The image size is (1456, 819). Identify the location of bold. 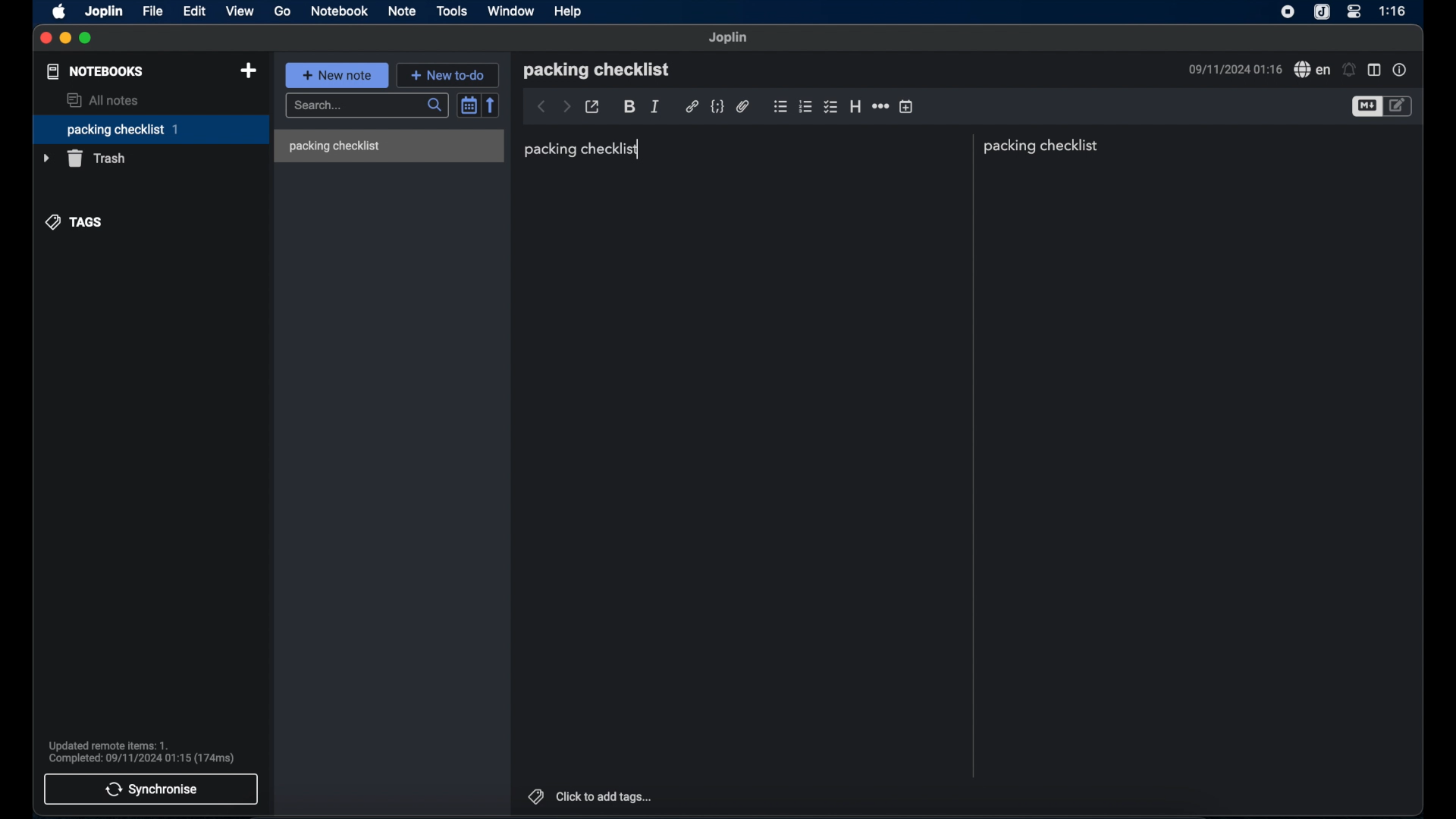
(629, 107).